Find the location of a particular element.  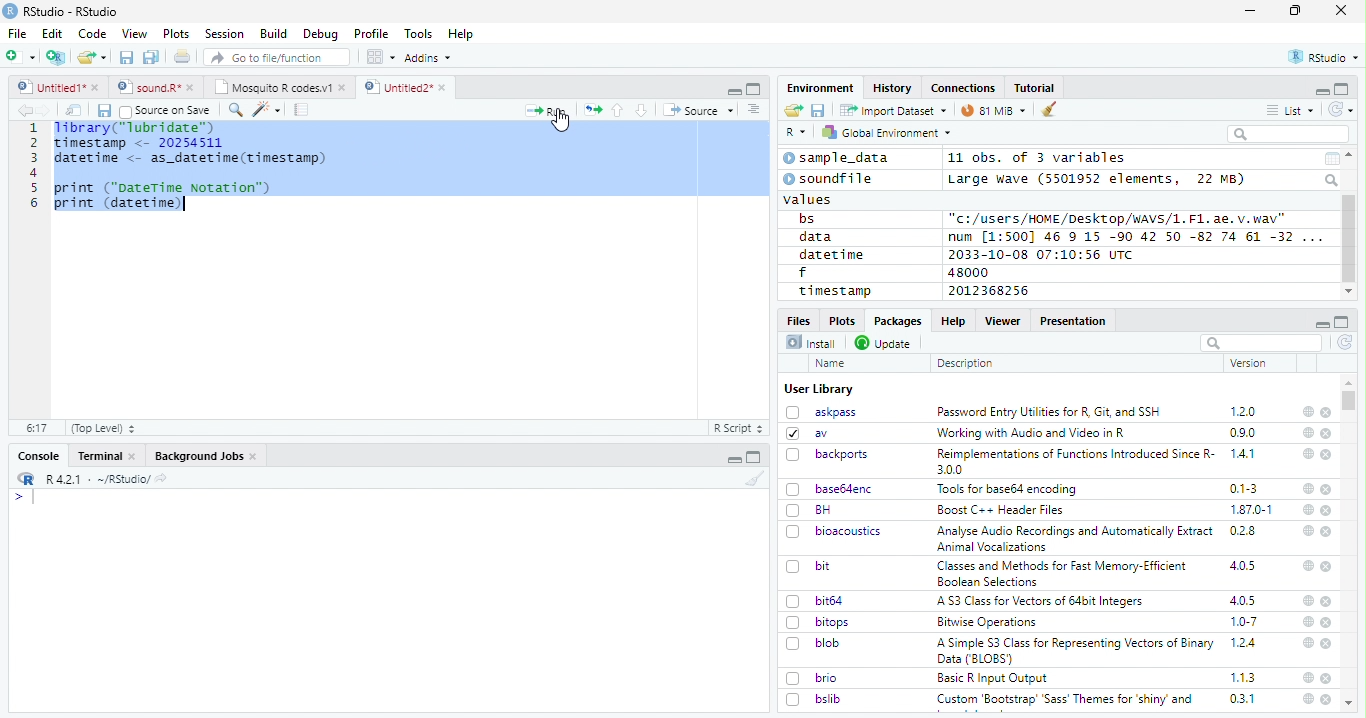

Tutorial is located at coordinates (1036, 88).